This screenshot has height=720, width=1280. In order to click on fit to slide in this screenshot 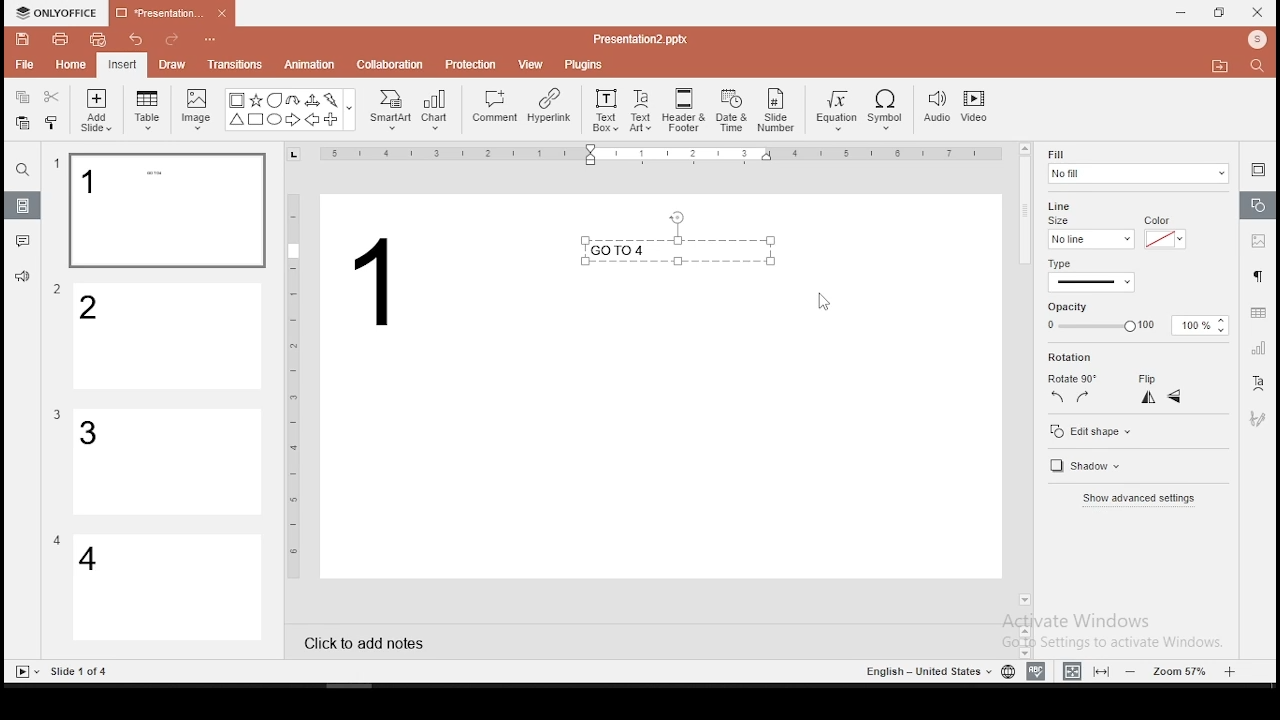, I will do `click(1104, 670)`.